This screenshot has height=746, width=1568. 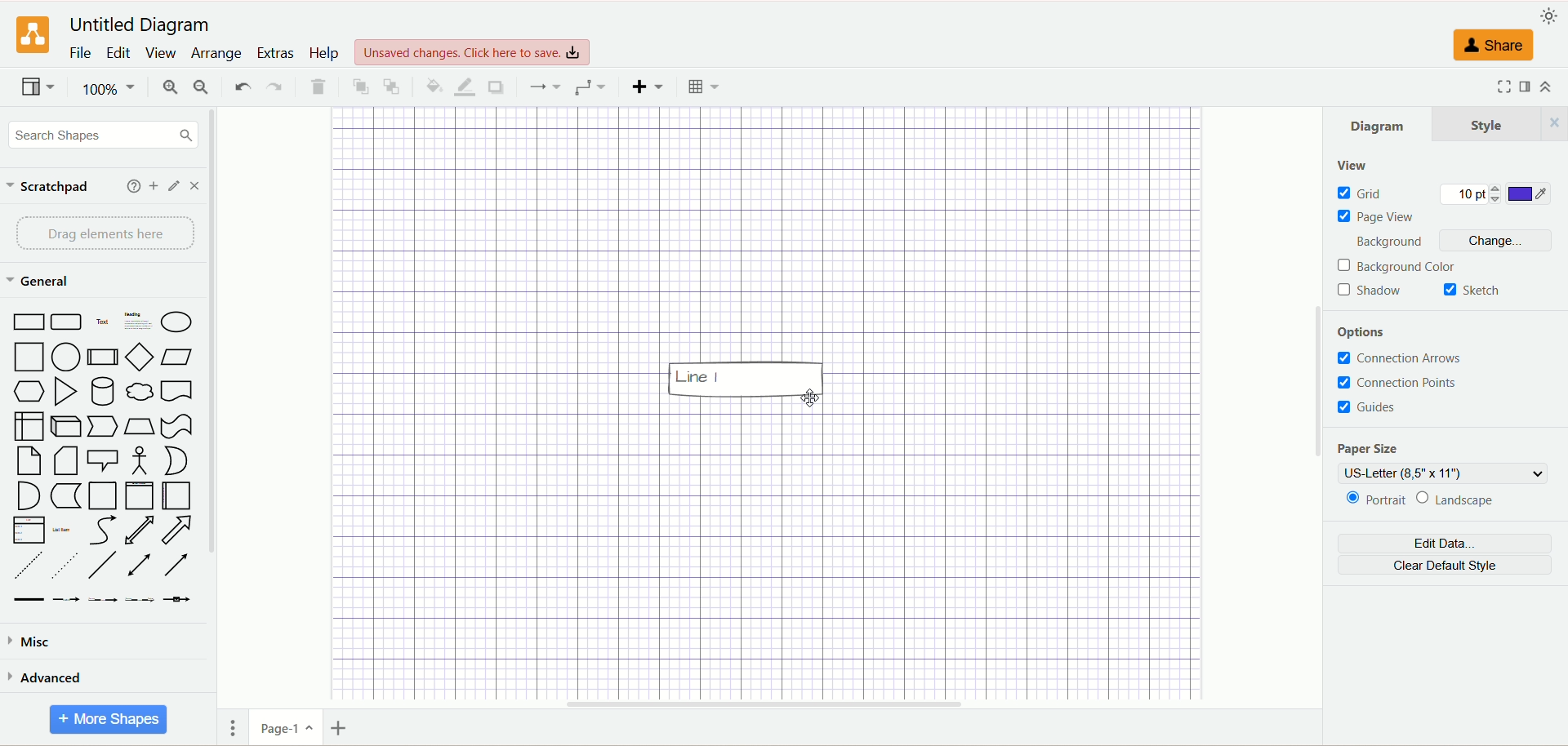 What do you see at coordinates (275, 52) in the screenshot?
I see `extras` at bounding box center [275, 52].